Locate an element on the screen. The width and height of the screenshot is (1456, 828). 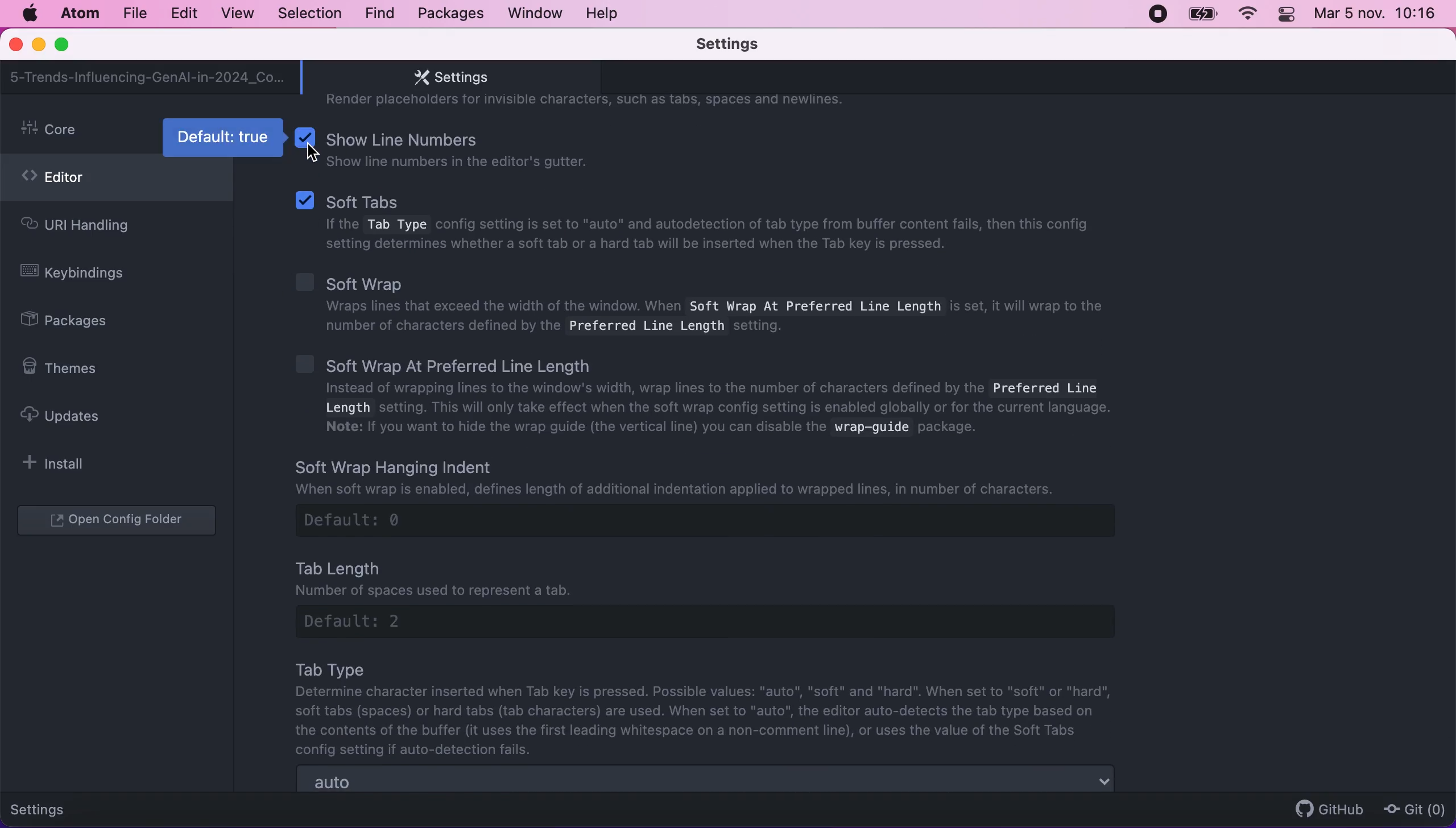
find is located at coordinates (379, 14).